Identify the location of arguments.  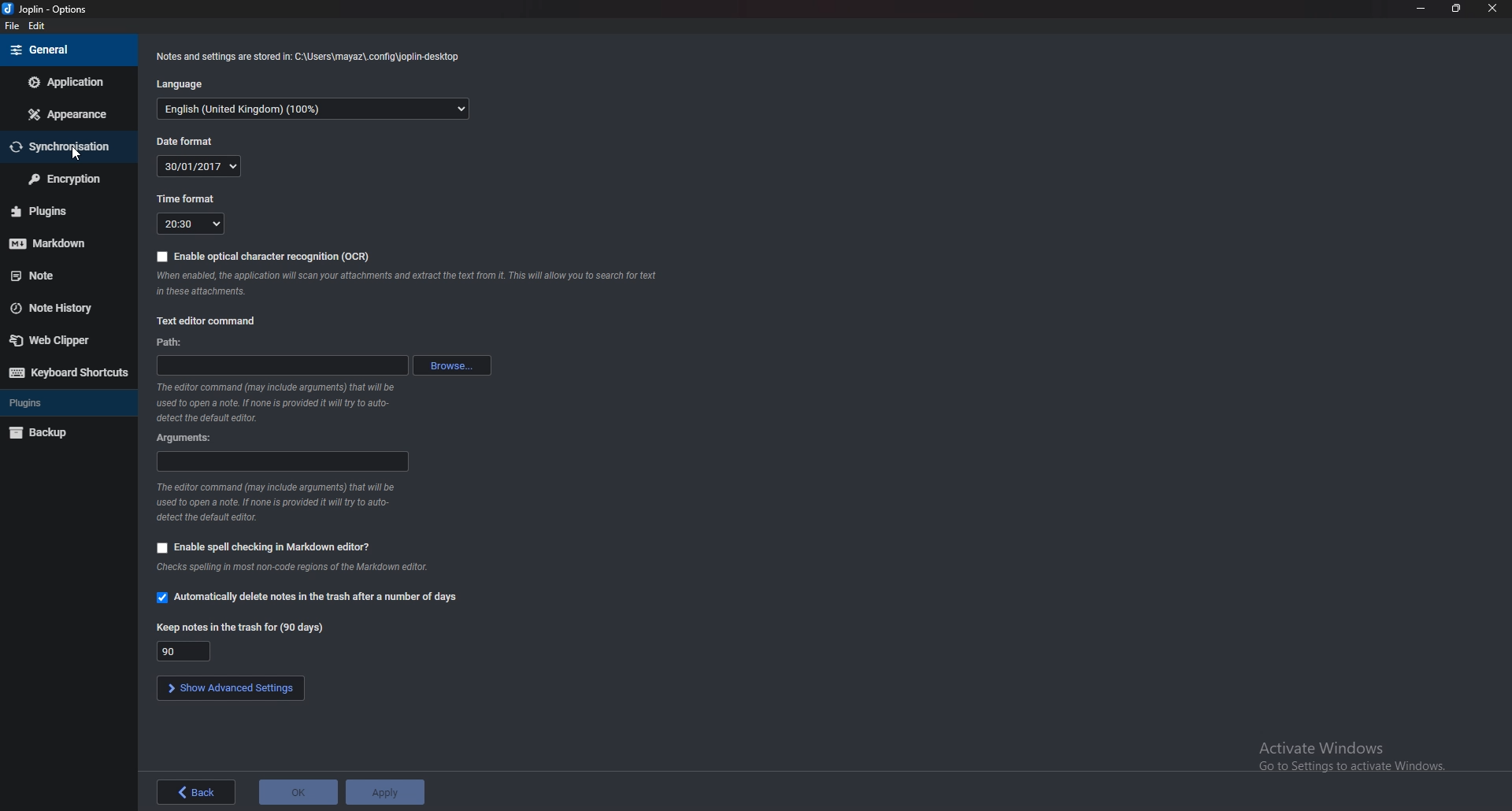
(187, 439).